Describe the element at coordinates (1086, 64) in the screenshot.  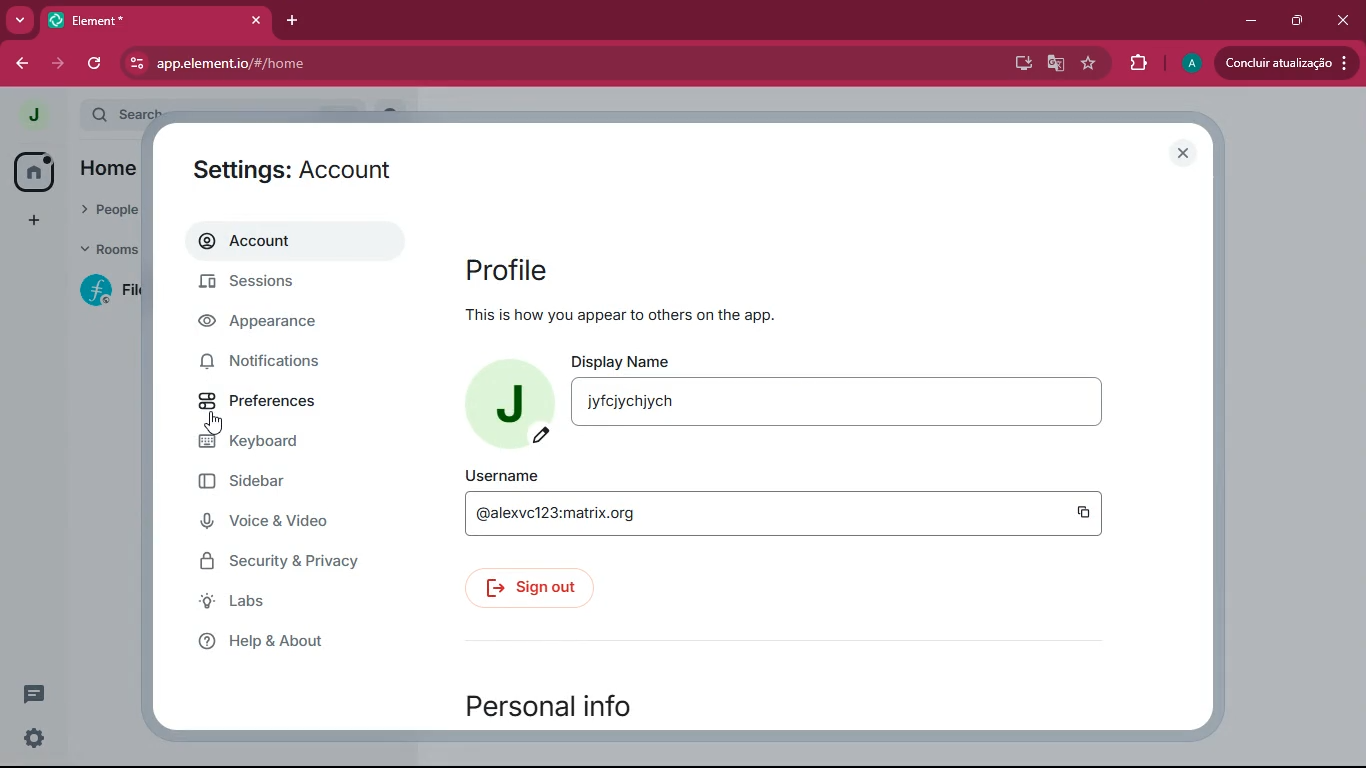
I see `favourite` at that location.